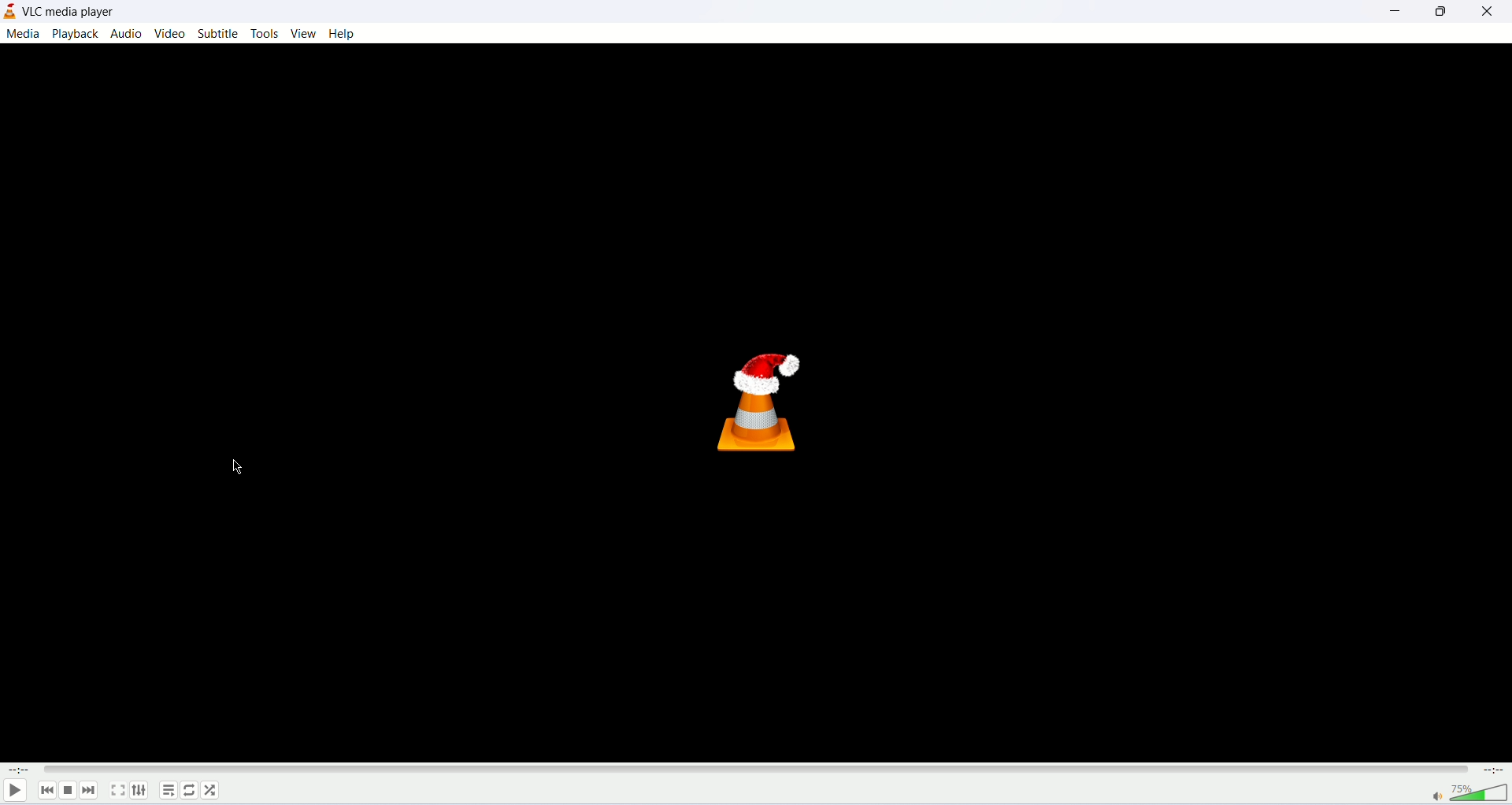 This screenshot has width=1512, height=805. Describe the element at coordinates (758, 771) in the screenshot. I see `progress bar` at that location.